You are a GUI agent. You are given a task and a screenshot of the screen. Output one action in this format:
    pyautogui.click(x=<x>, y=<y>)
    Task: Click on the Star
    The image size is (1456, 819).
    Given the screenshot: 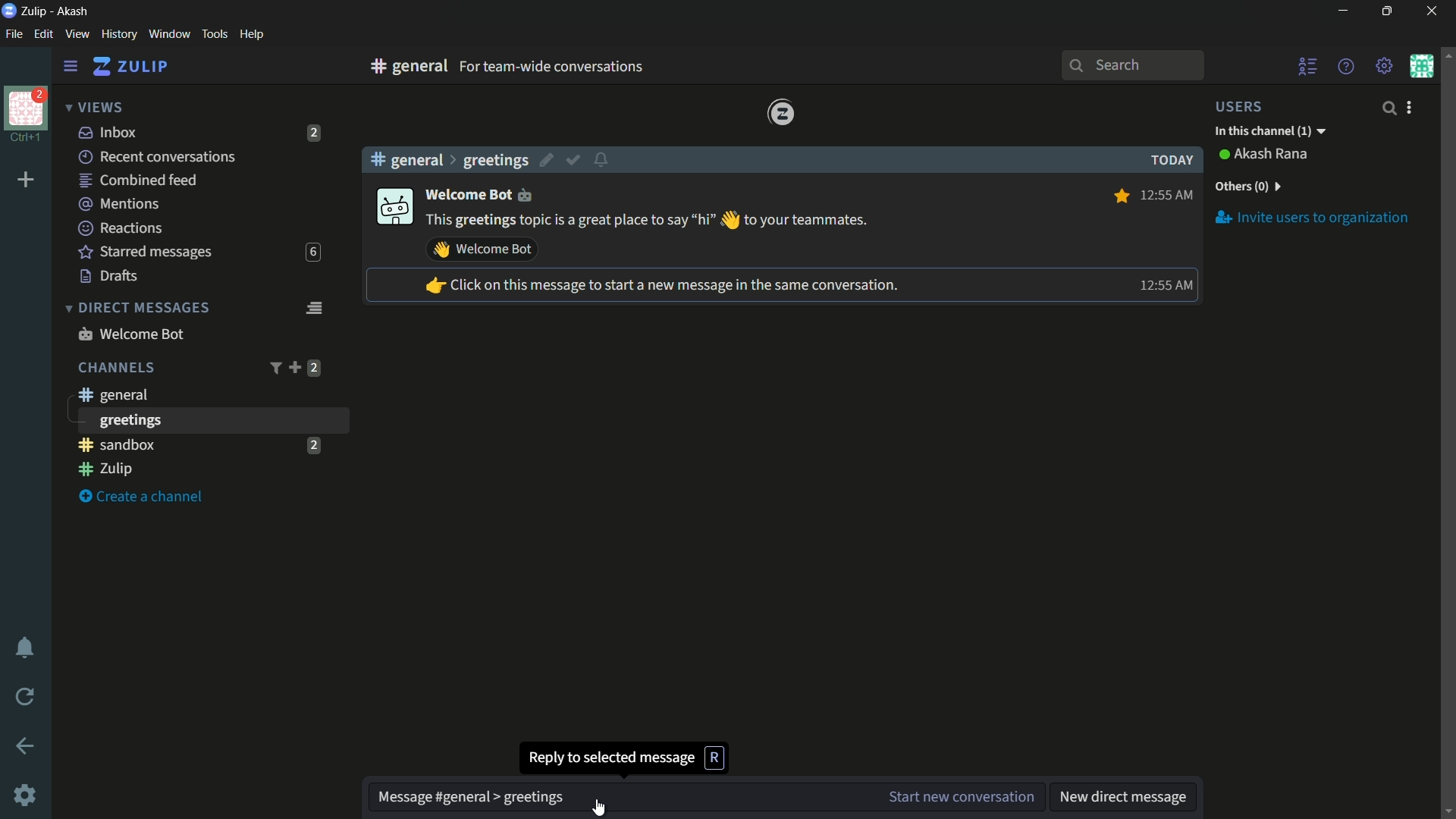 What is the action you would take?
    pyautogui.click(x=1119, y=196)
    